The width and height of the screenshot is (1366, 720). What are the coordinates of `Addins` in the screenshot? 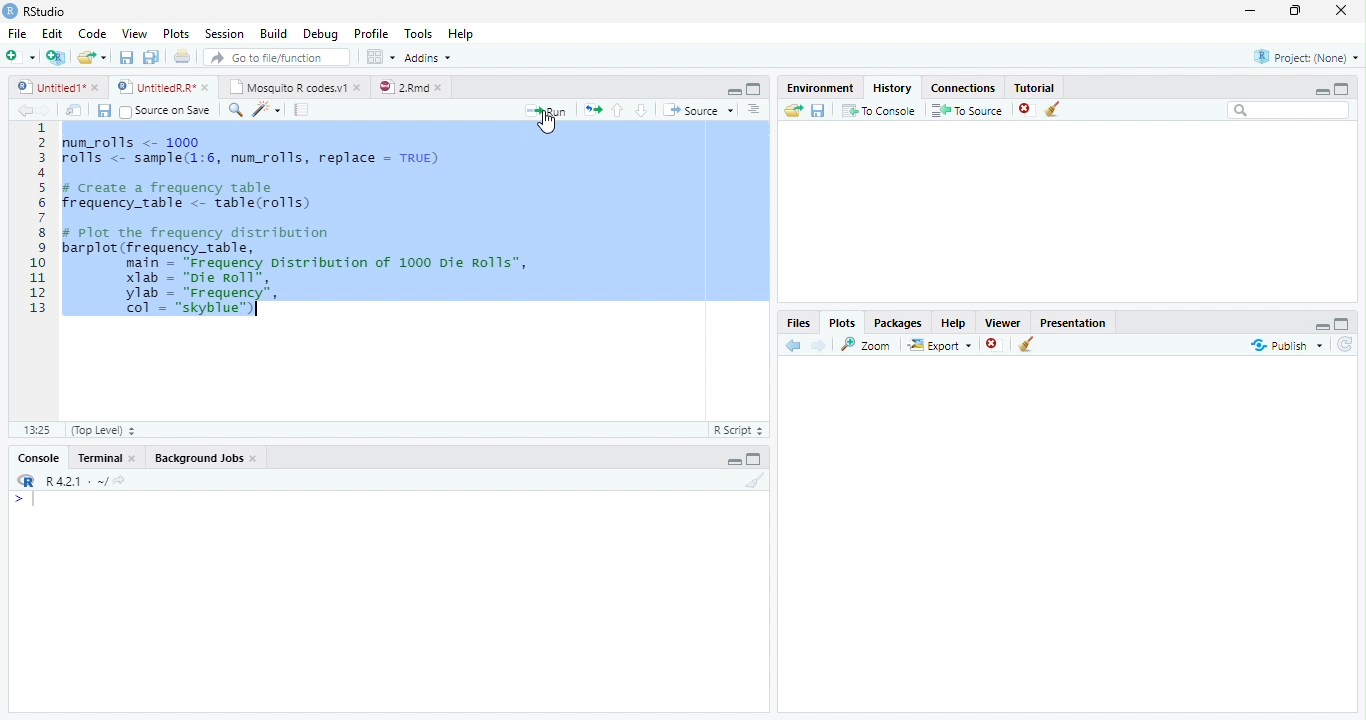 It's located at (431, 56).